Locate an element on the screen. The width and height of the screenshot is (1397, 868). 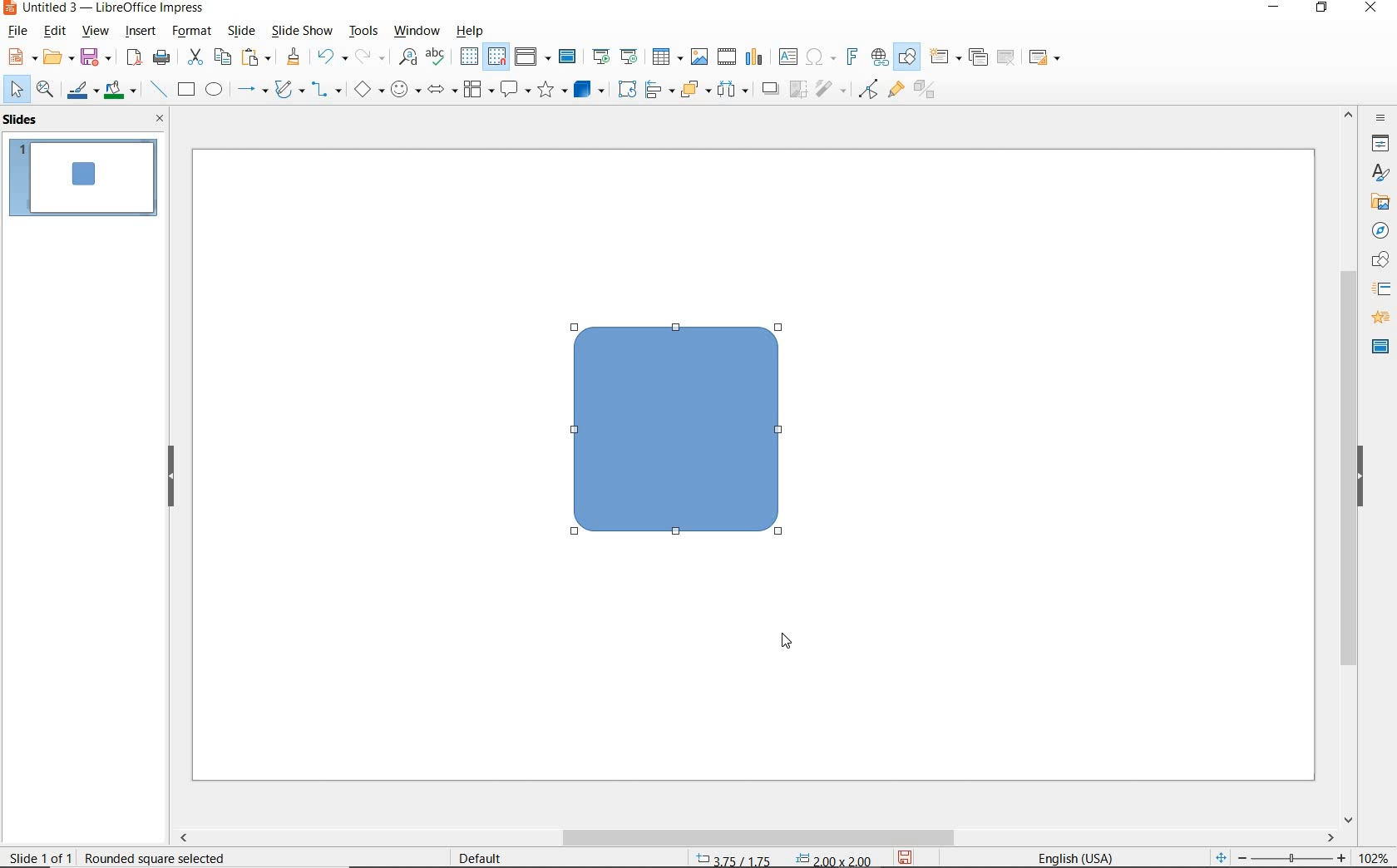
display grid is located at coordinates (469, 57).